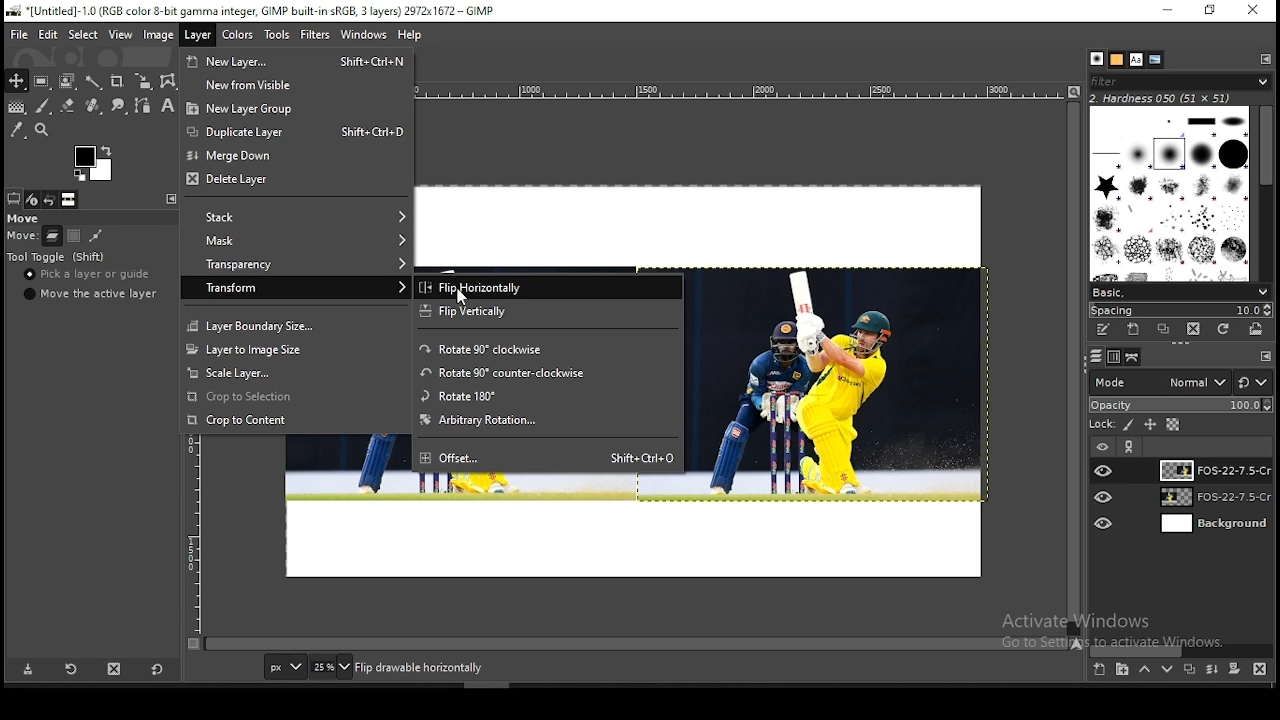 The height and width of the screenshot is (720, 1280). I want to click on help, so click(410, 37).